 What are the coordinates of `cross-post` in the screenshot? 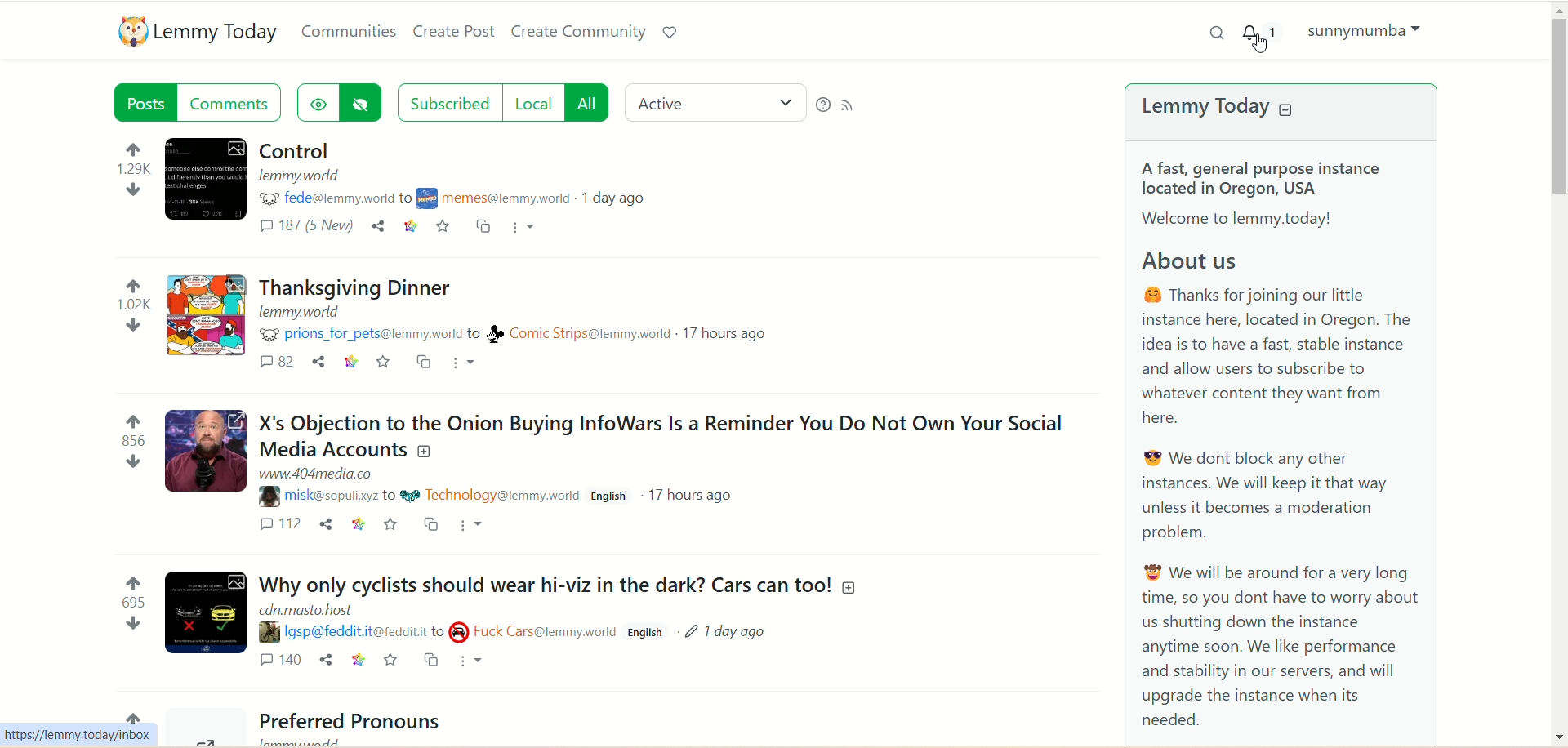 It's located at (481, 225).